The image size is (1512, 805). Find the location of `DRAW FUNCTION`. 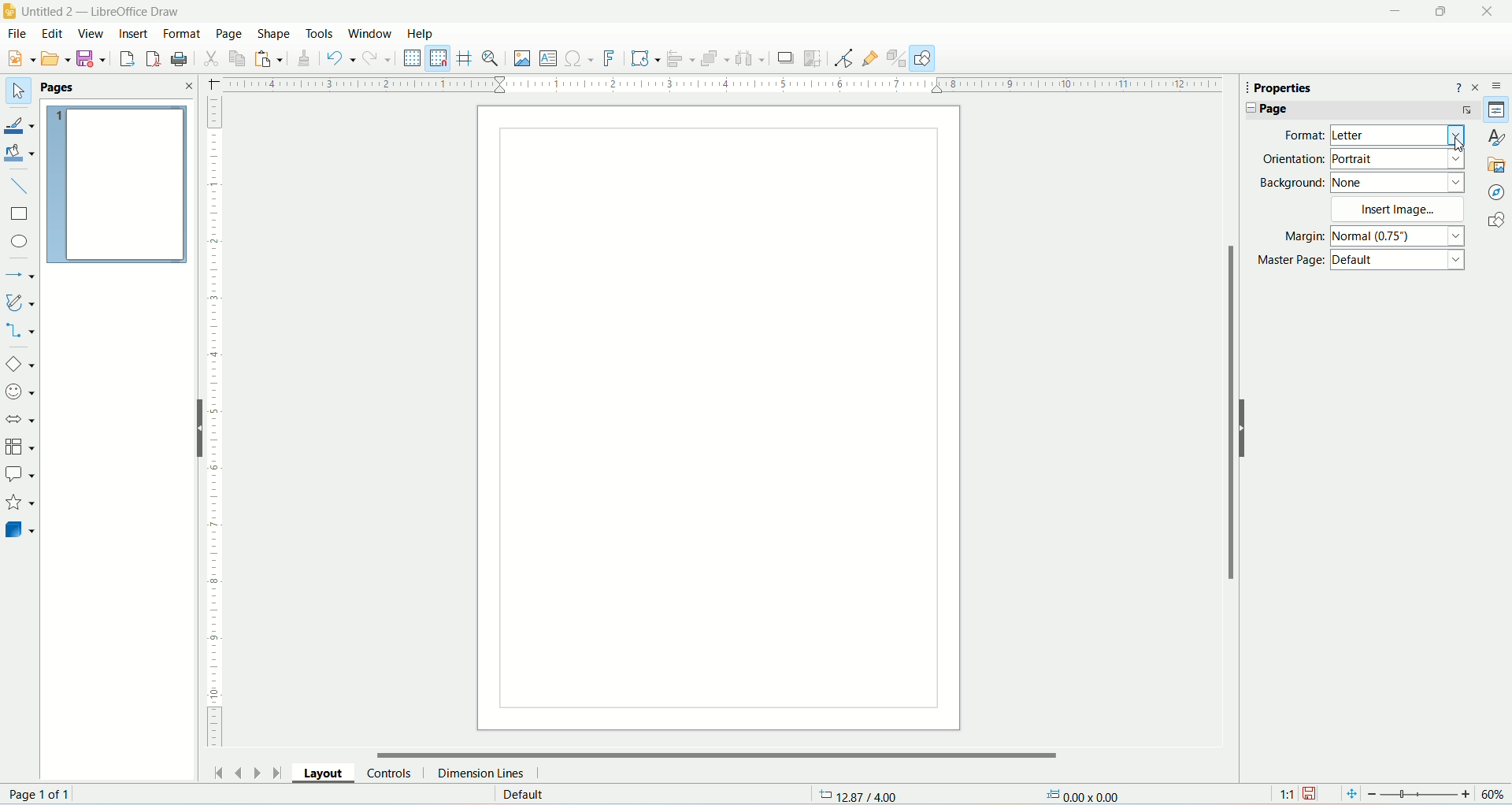

DRAW FUNCTION is located at coordinates (922, 58).